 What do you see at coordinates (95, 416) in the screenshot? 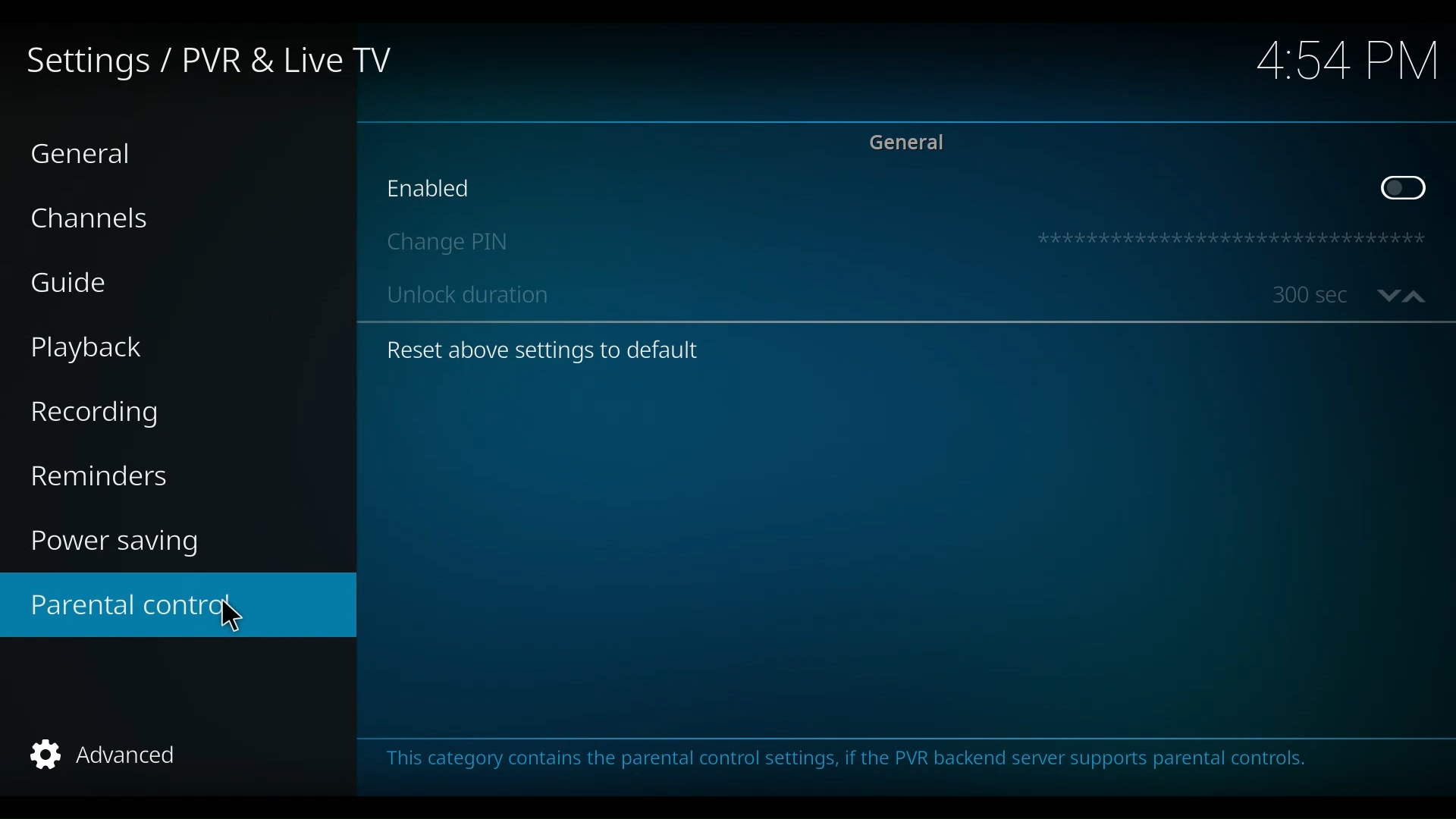
I see `Recording` at bounding box center [95, 416].